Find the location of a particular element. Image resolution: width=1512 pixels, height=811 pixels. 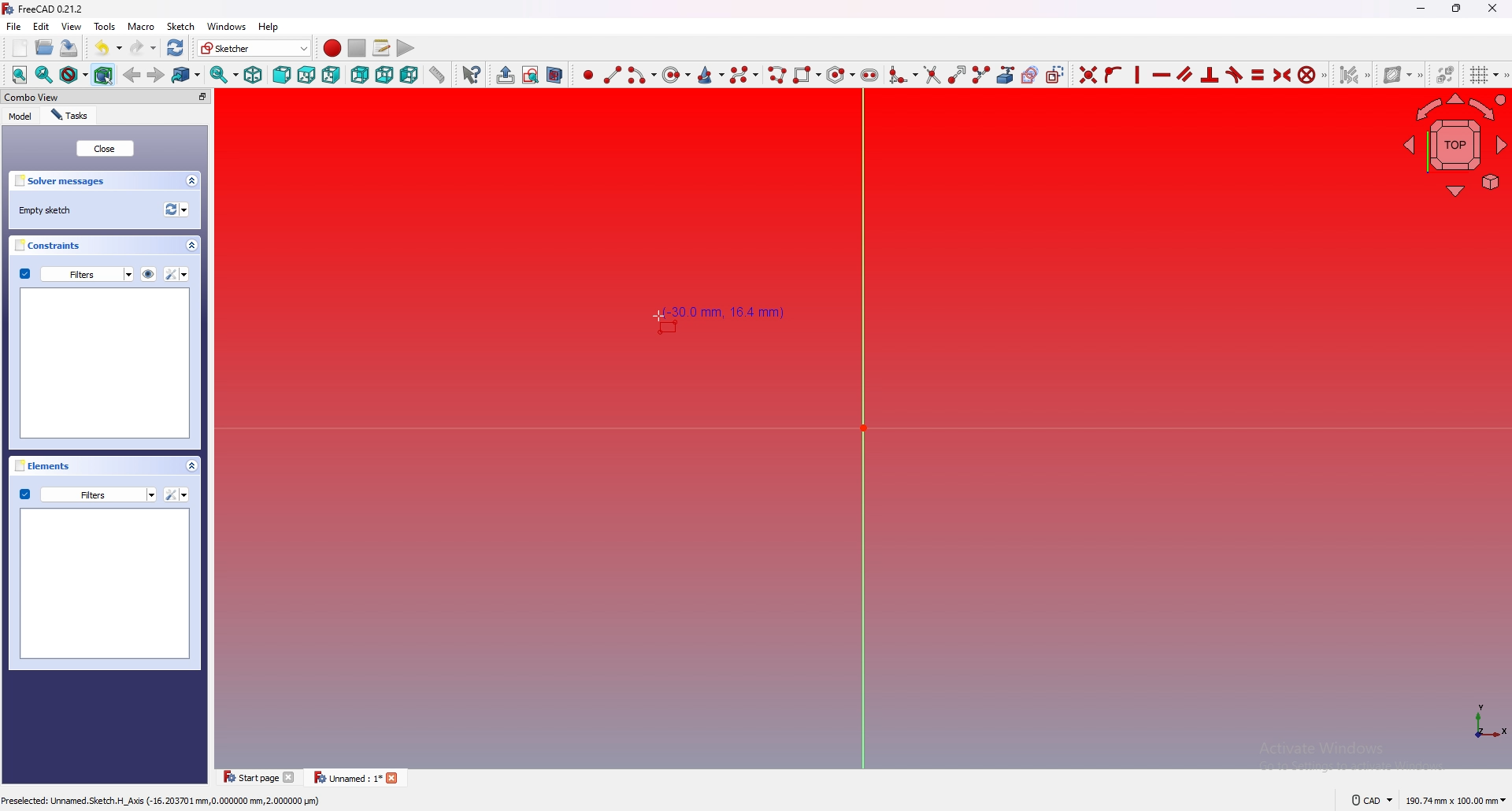

draw style is located at coordinates (74, 75).